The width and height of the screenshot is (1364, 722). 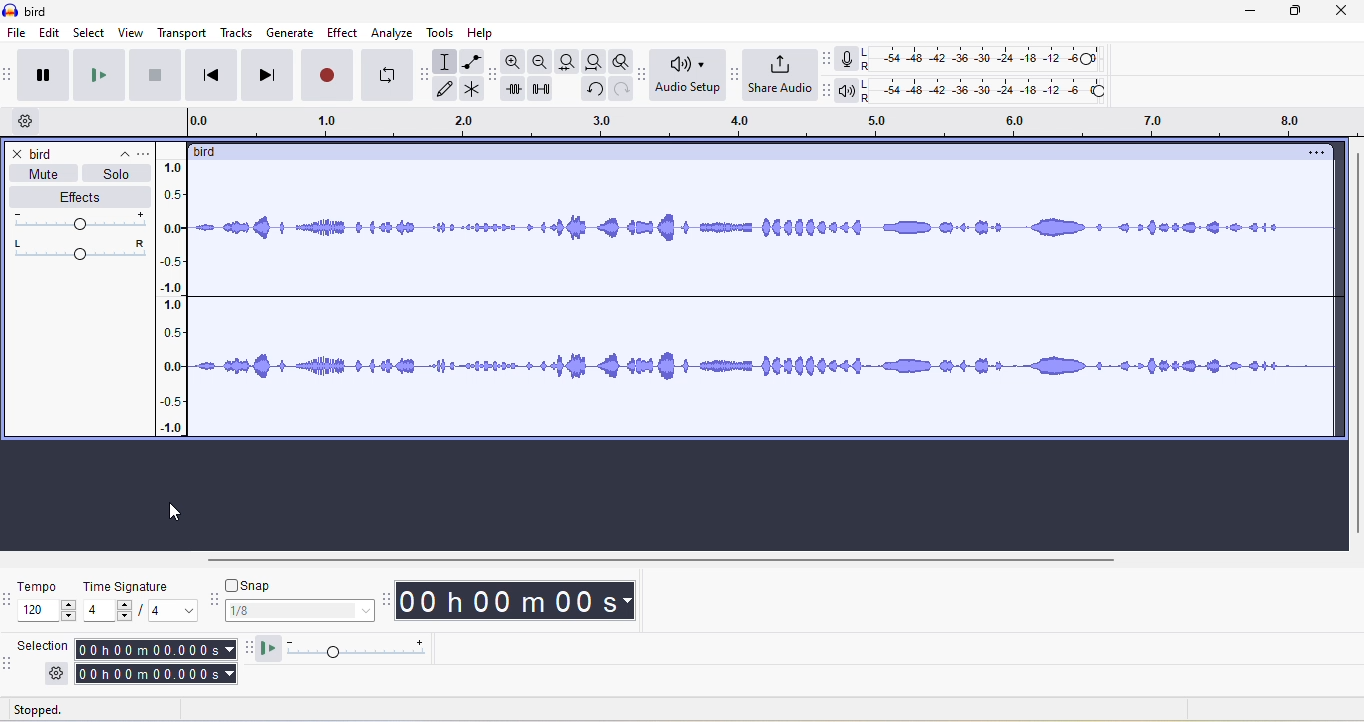 I want to click on audacity audio setup toolbar, so click(x=640, y=75).